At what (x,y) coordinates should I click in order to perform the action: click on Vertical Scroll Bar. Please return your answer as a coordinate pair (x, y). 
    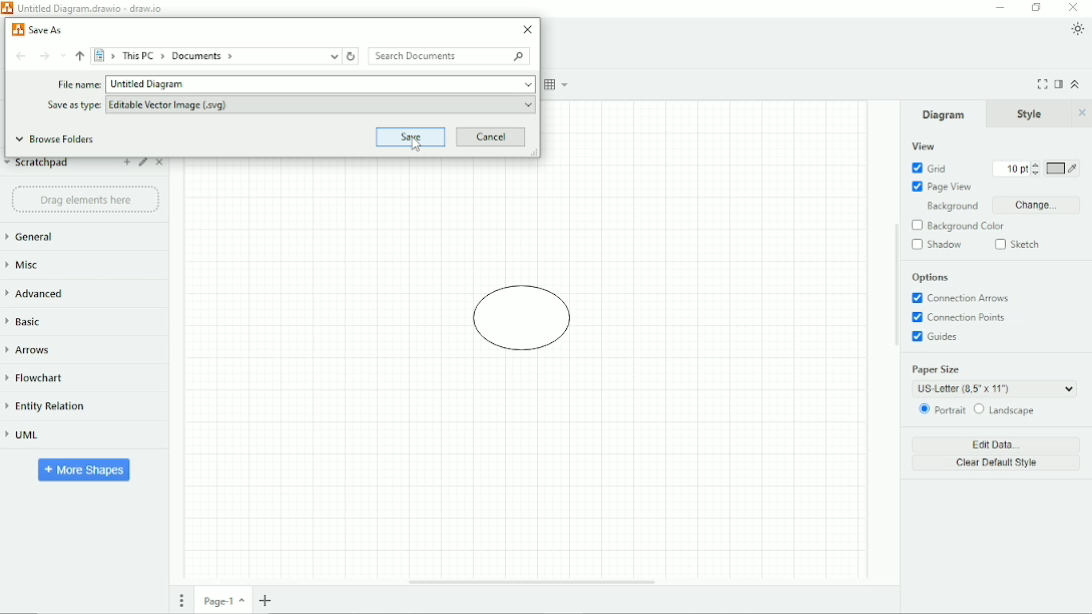
    Looking at the image, I should click on (895, 343).